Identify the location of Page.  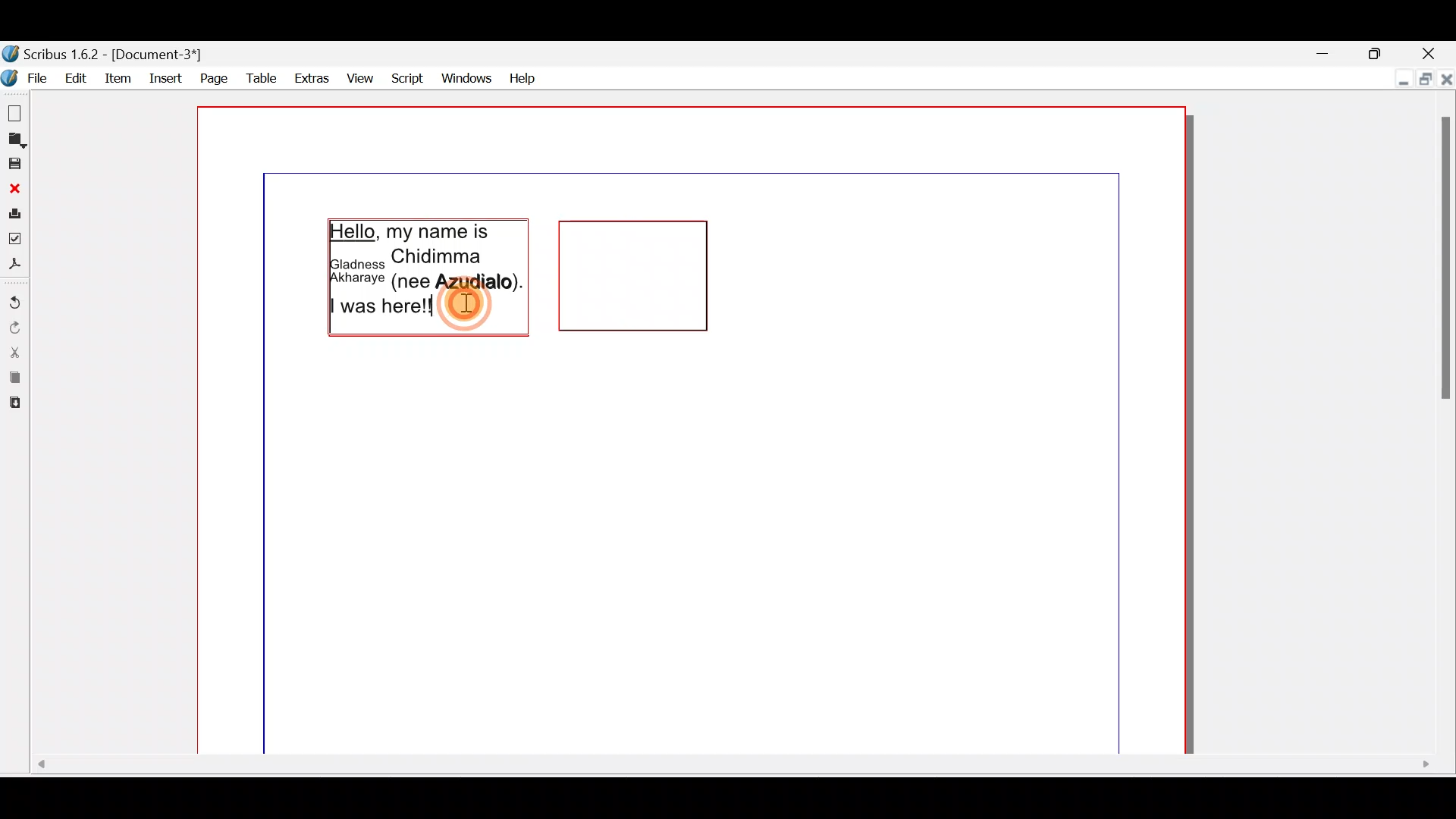
(210, 77).